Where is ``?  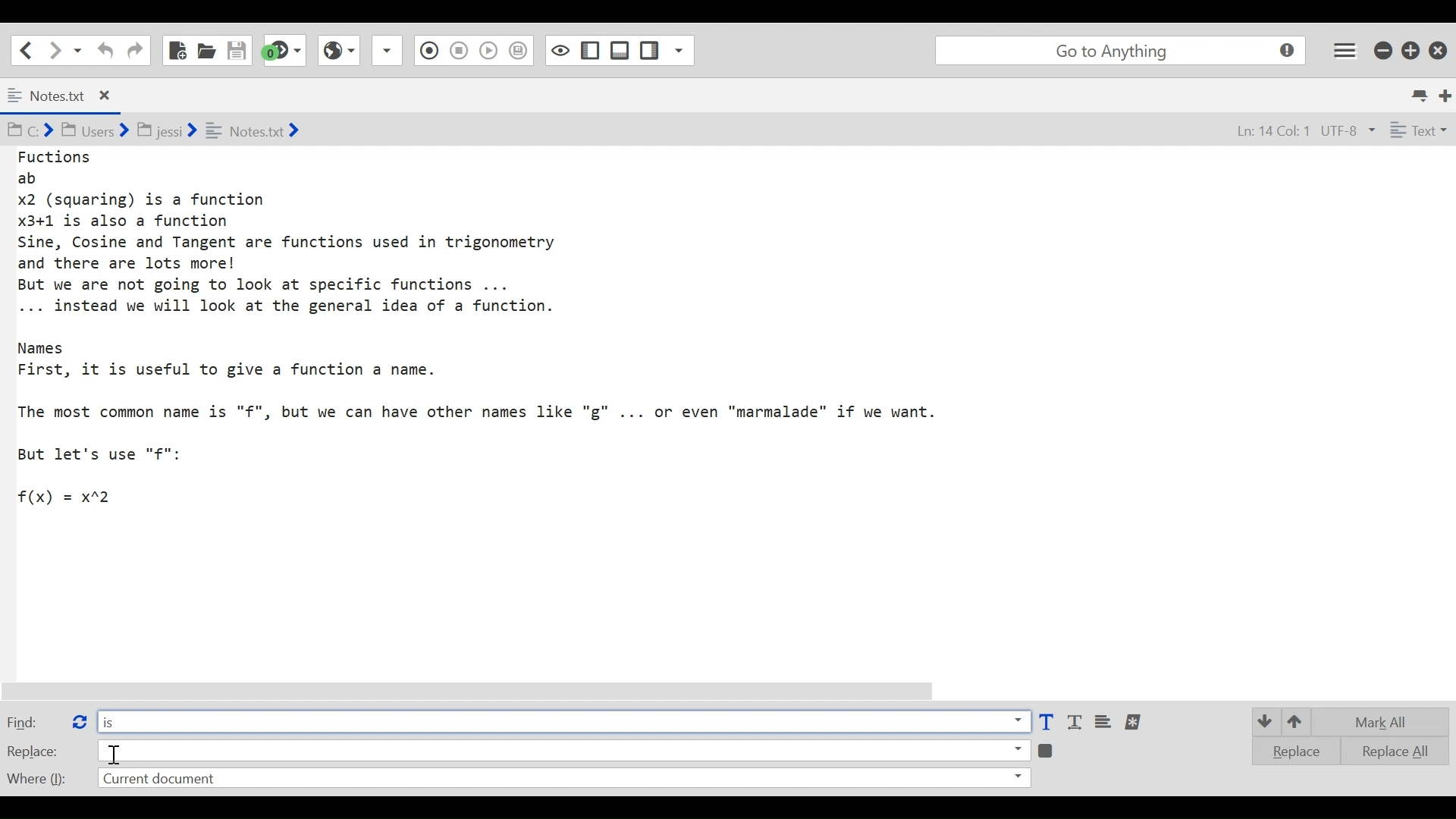
 is located at coordinates (135, 51).